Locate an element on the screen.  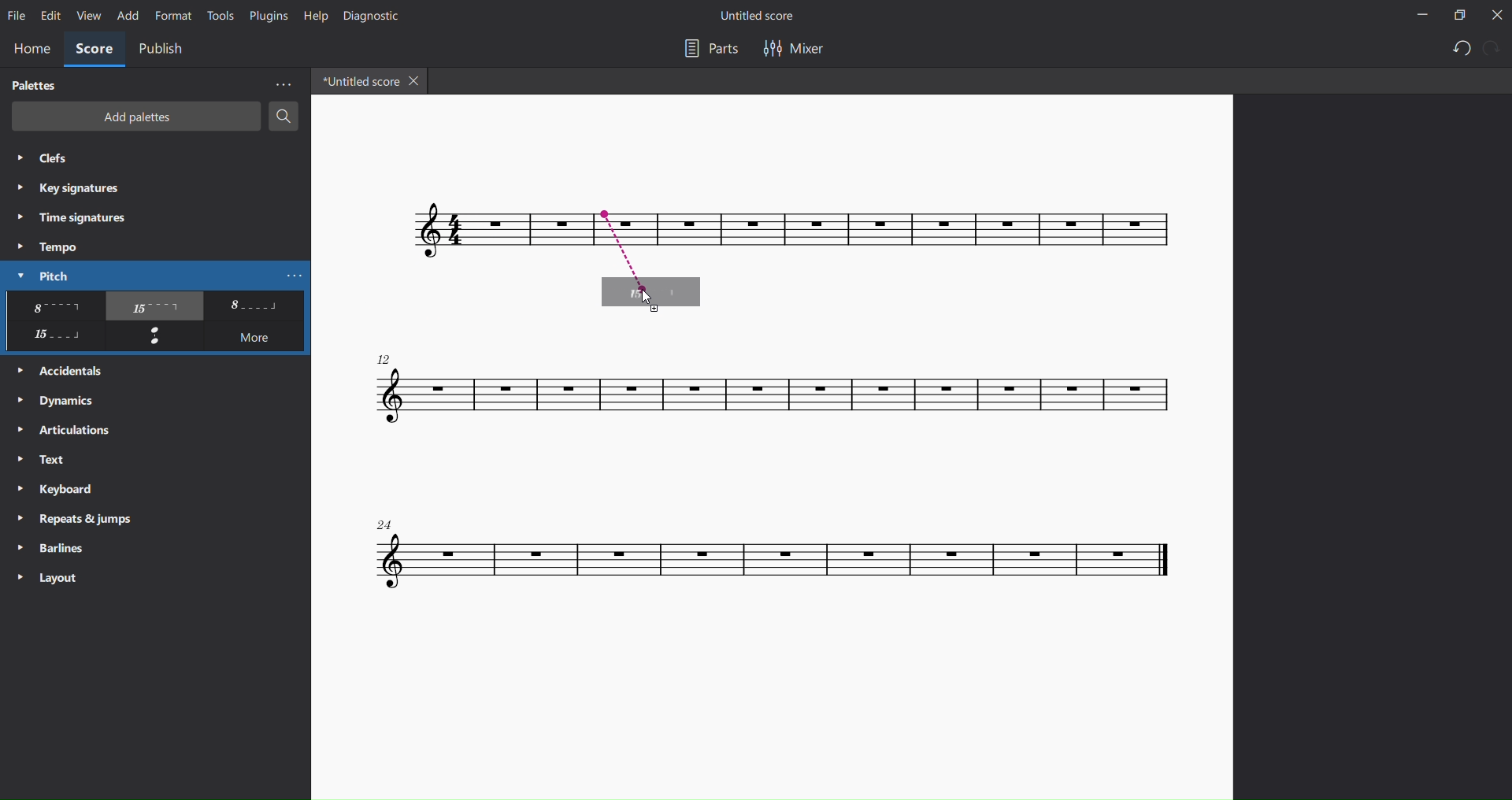
format is located at coordinates (172, 15).